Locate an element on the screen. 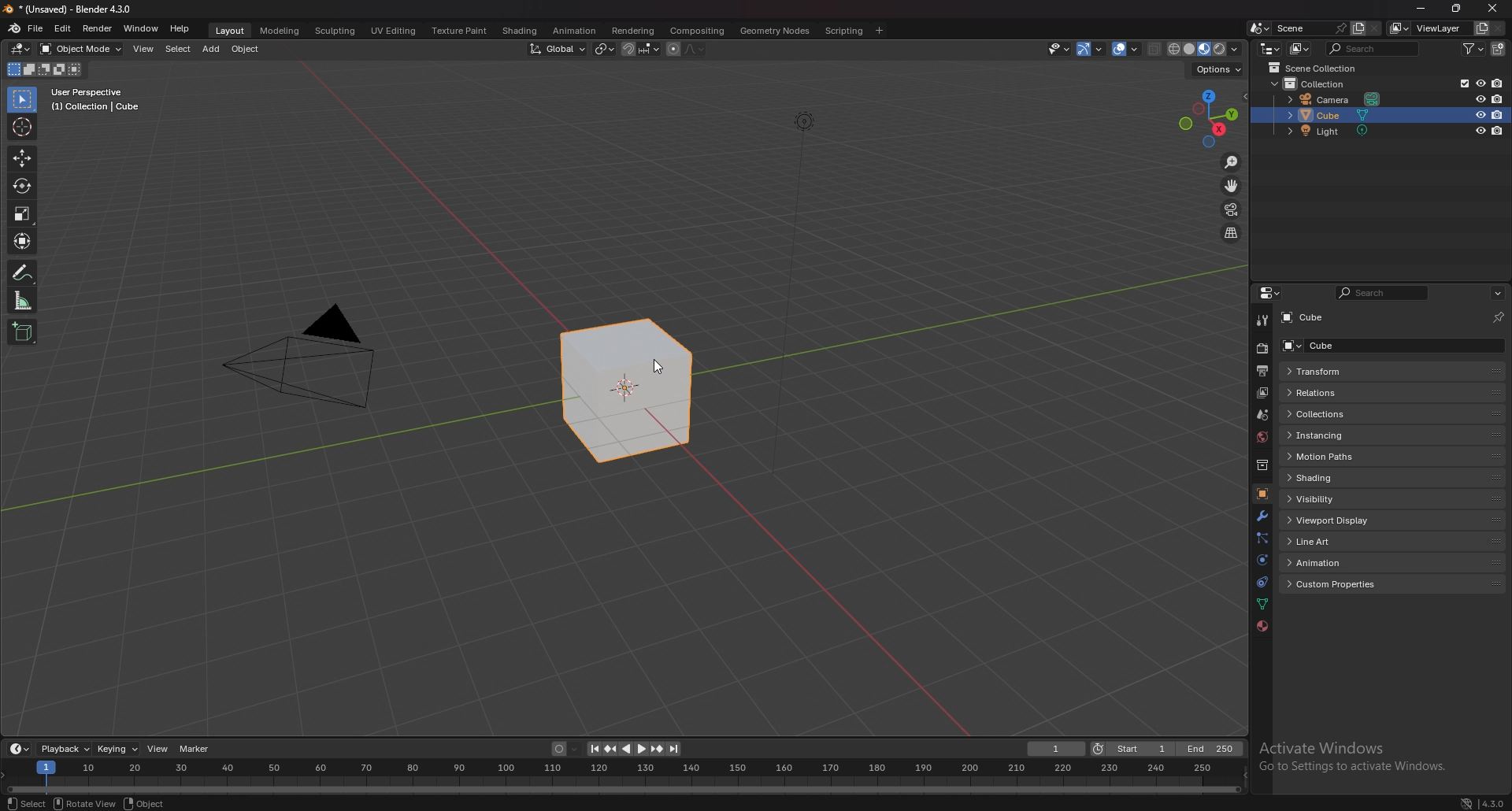  shading is located at coordinates (521, 31).